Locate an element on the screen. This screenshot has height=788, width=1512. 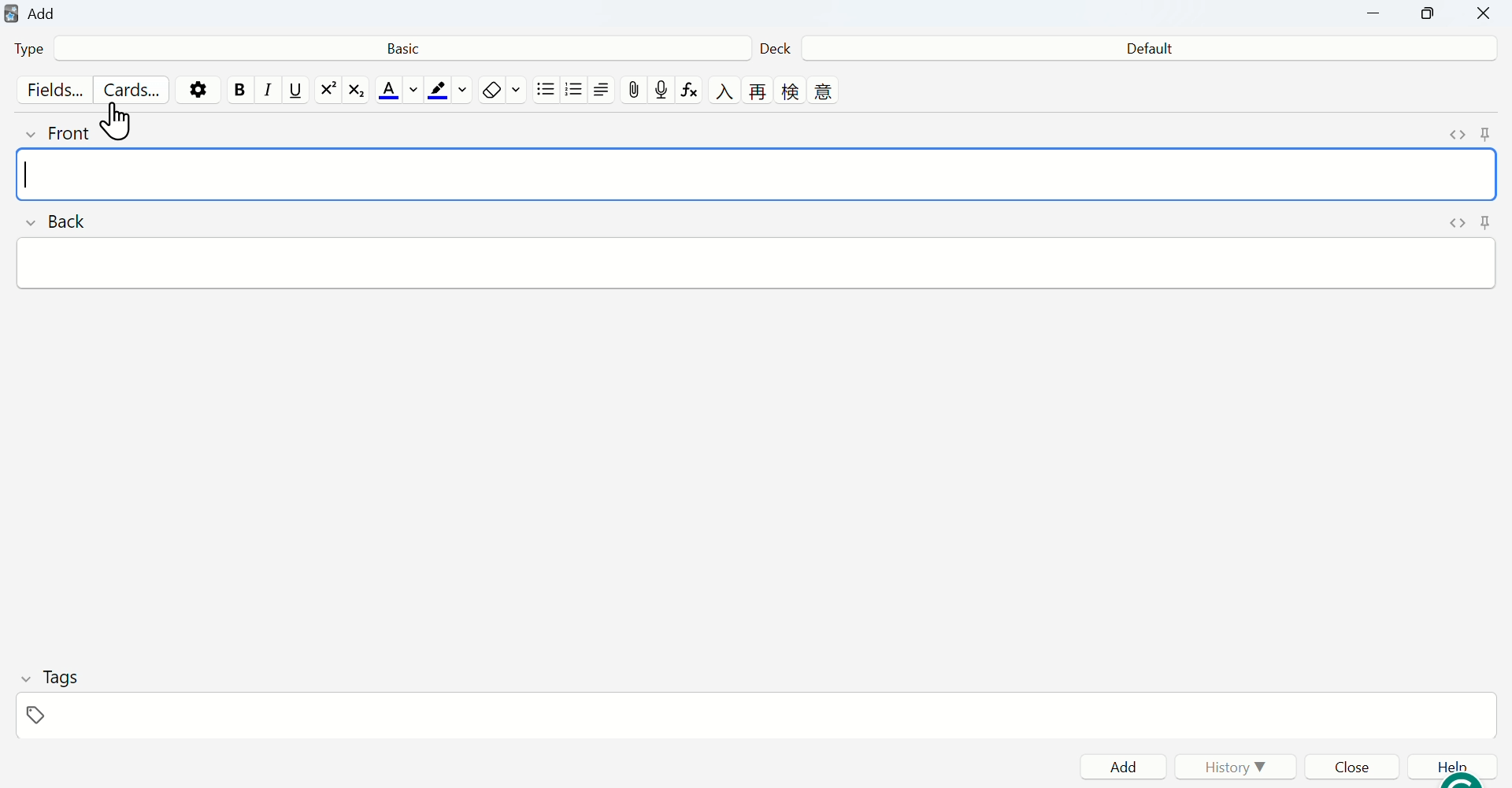
language is located at coordinates (824, 90).